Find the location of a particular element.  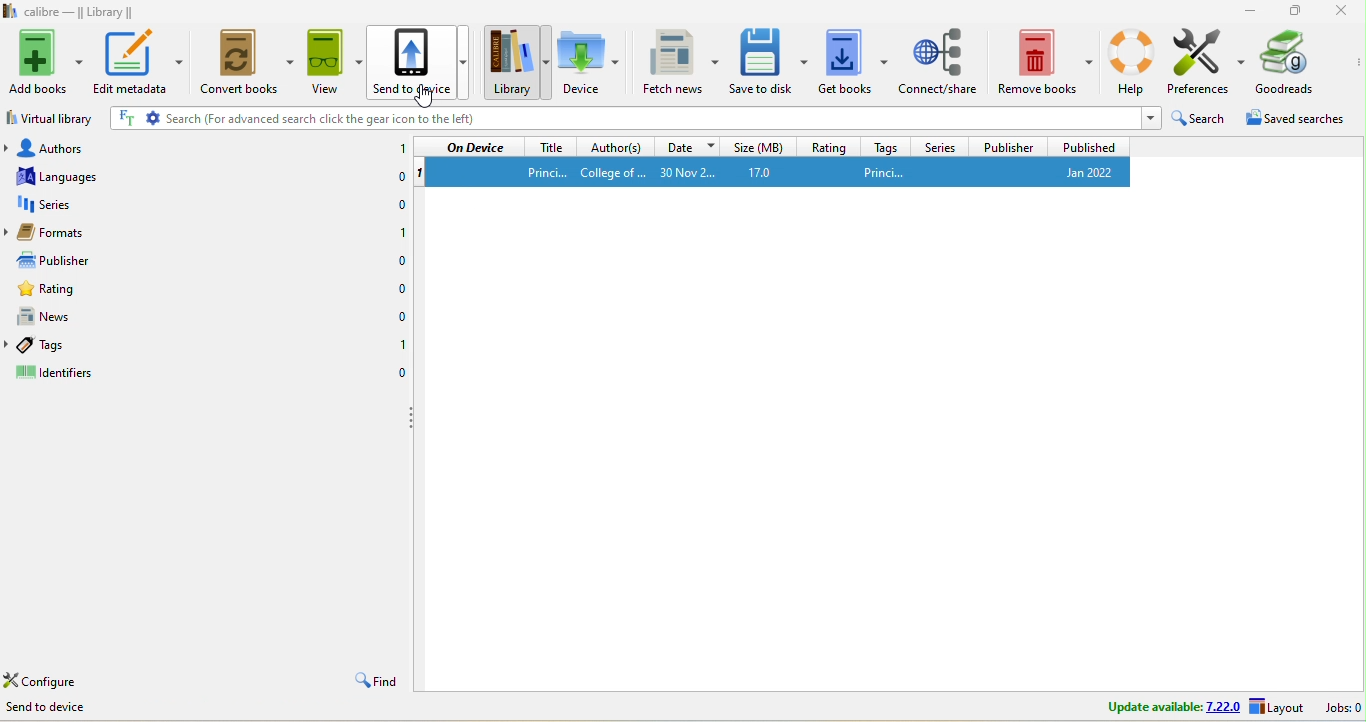

0 is located at coordinates (389, 204).